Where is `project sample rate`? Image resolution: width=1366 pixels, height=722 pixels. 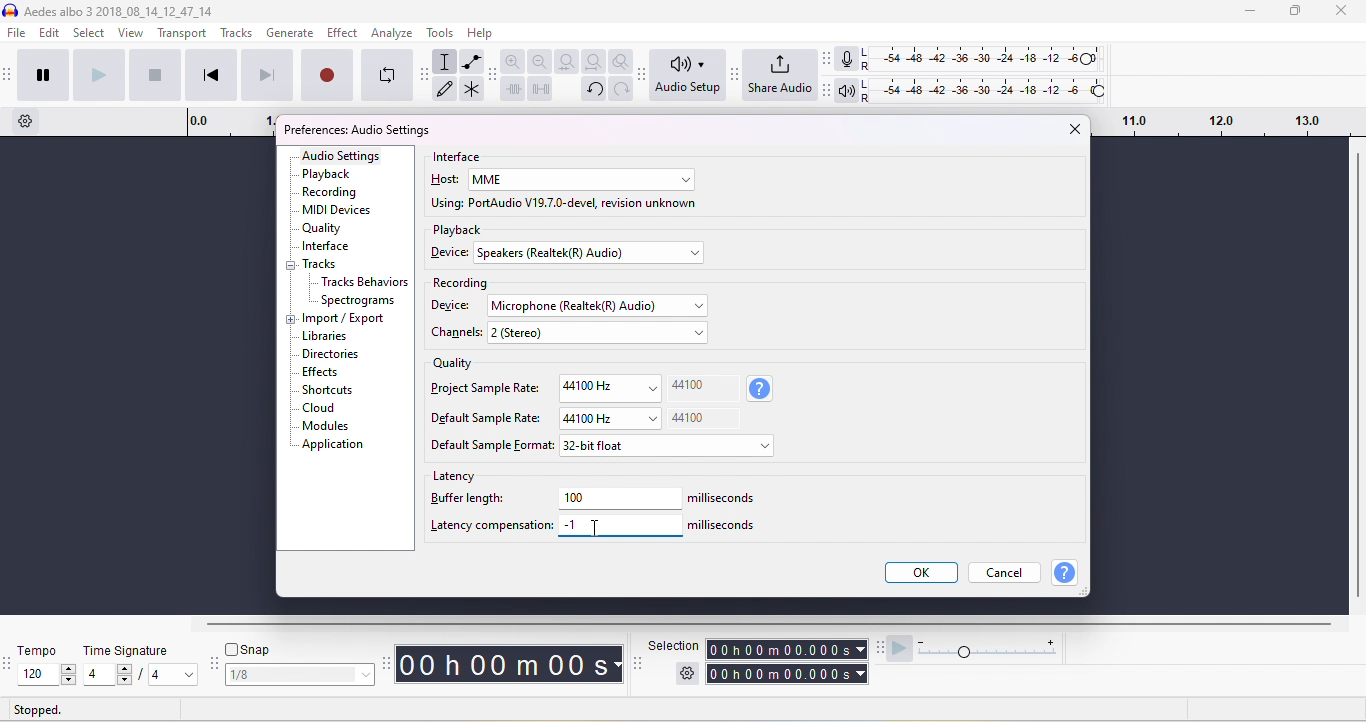
project sample rate is located at coordinates (487, 387).